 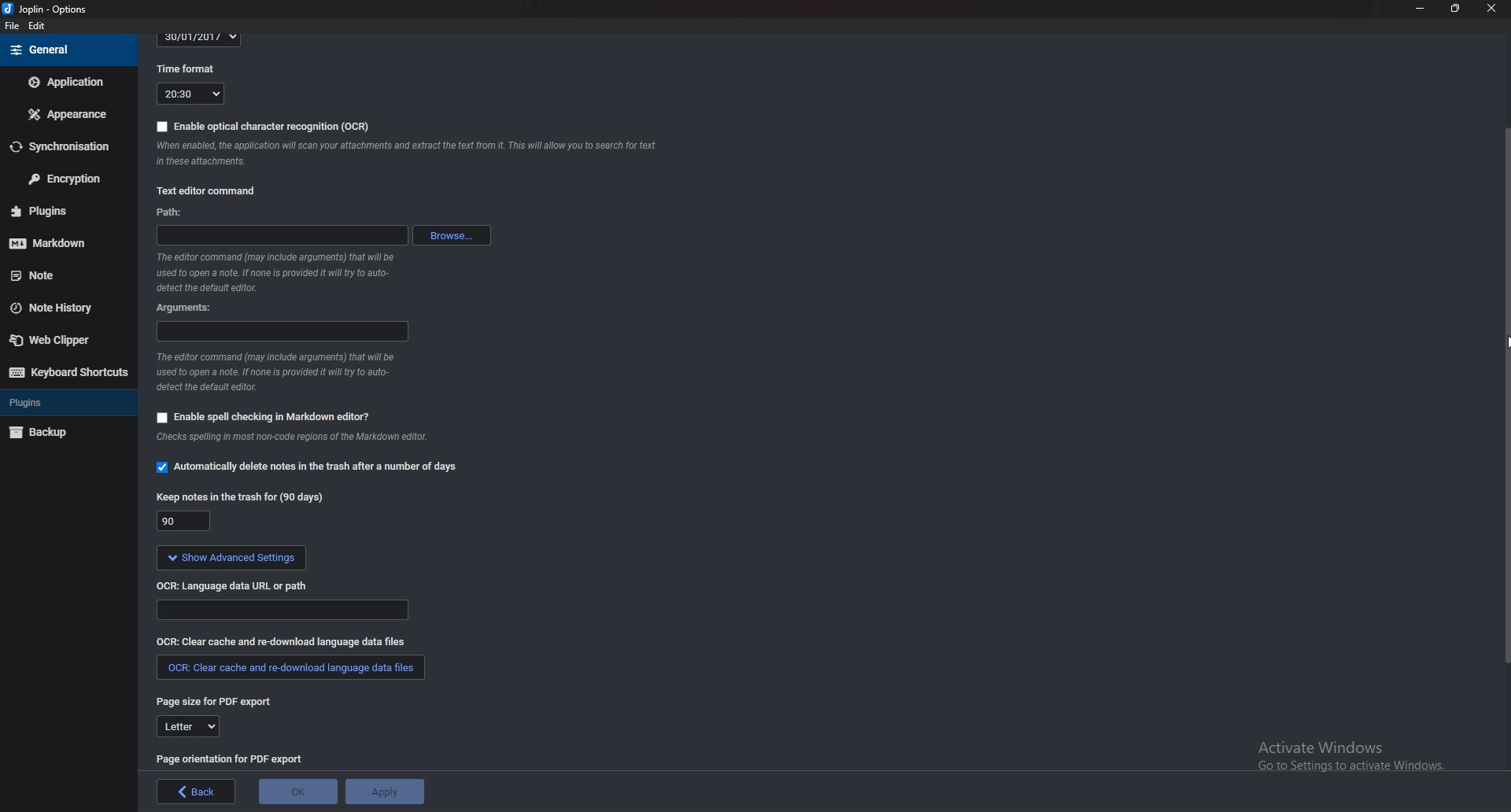 What do you see at coordinates (188, 729) in the screenshot?
I see `Letter` at bounding box center [188, 729].